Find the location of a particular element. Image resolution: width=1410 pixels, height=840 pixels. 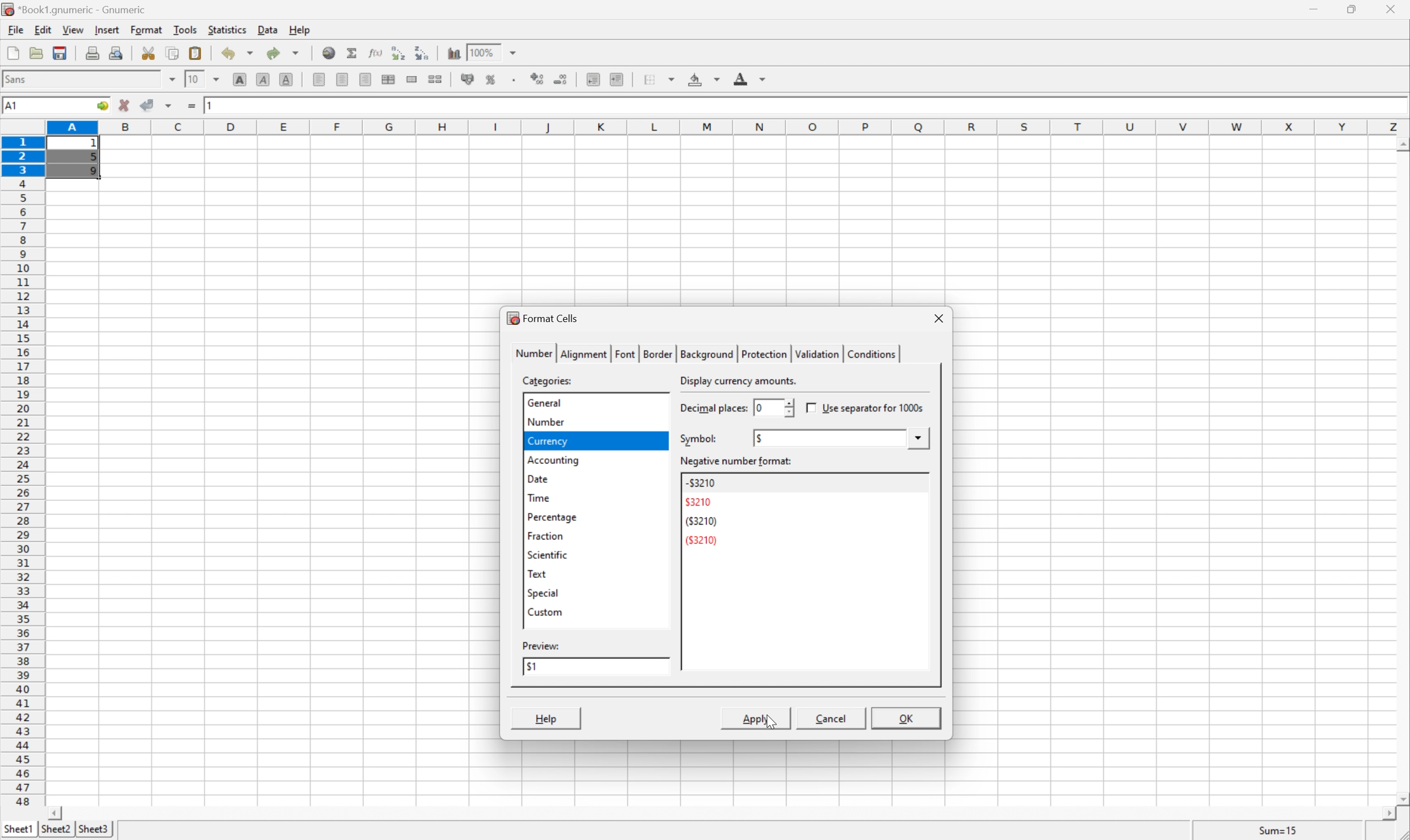

insert chart is located at coordinates (453, 52).